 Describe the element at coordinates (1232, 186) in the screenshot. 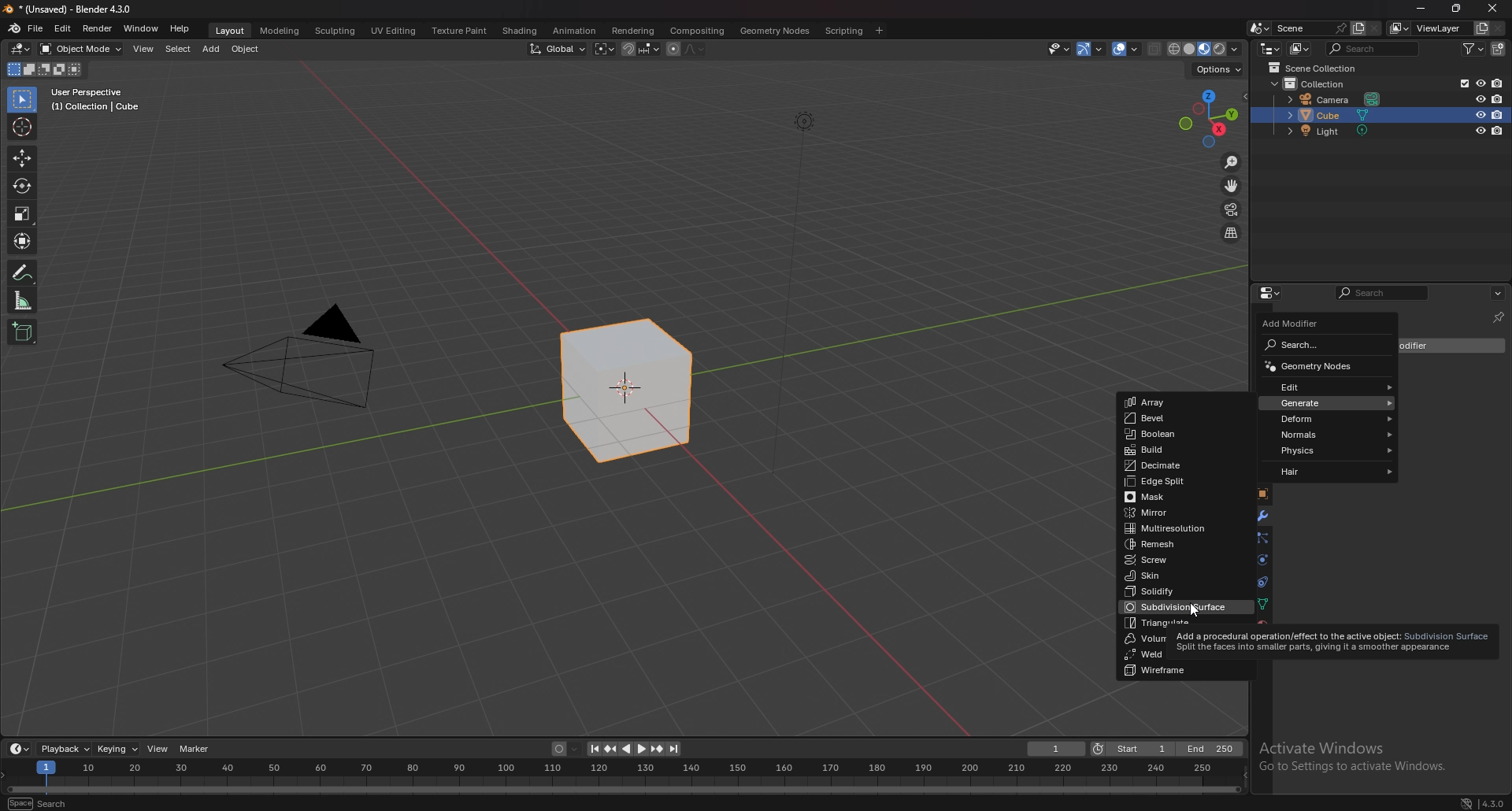

I see `move` at that location.